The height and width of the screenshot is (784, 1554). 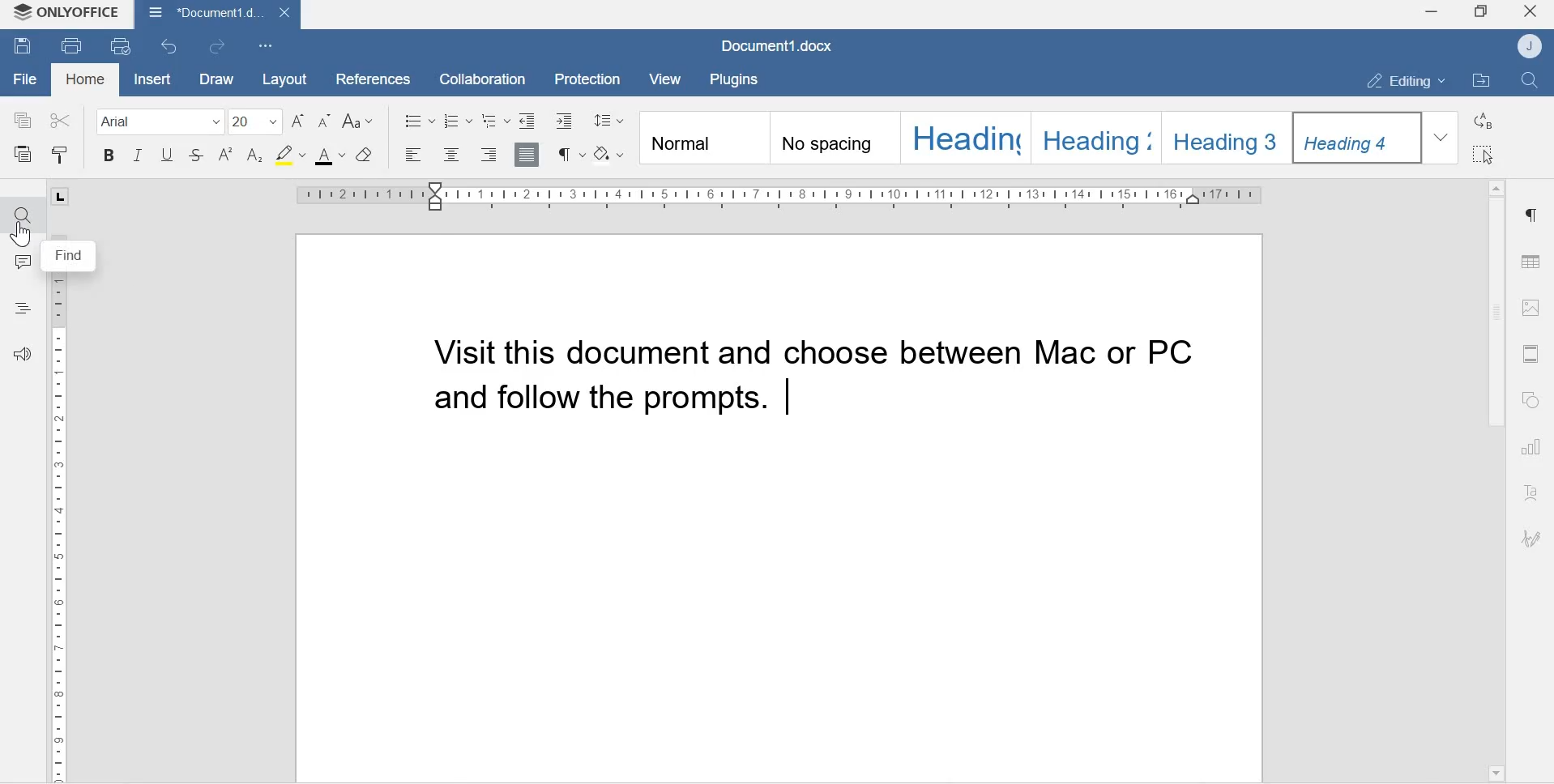 I want to click on File, so click(x=25, y=79).